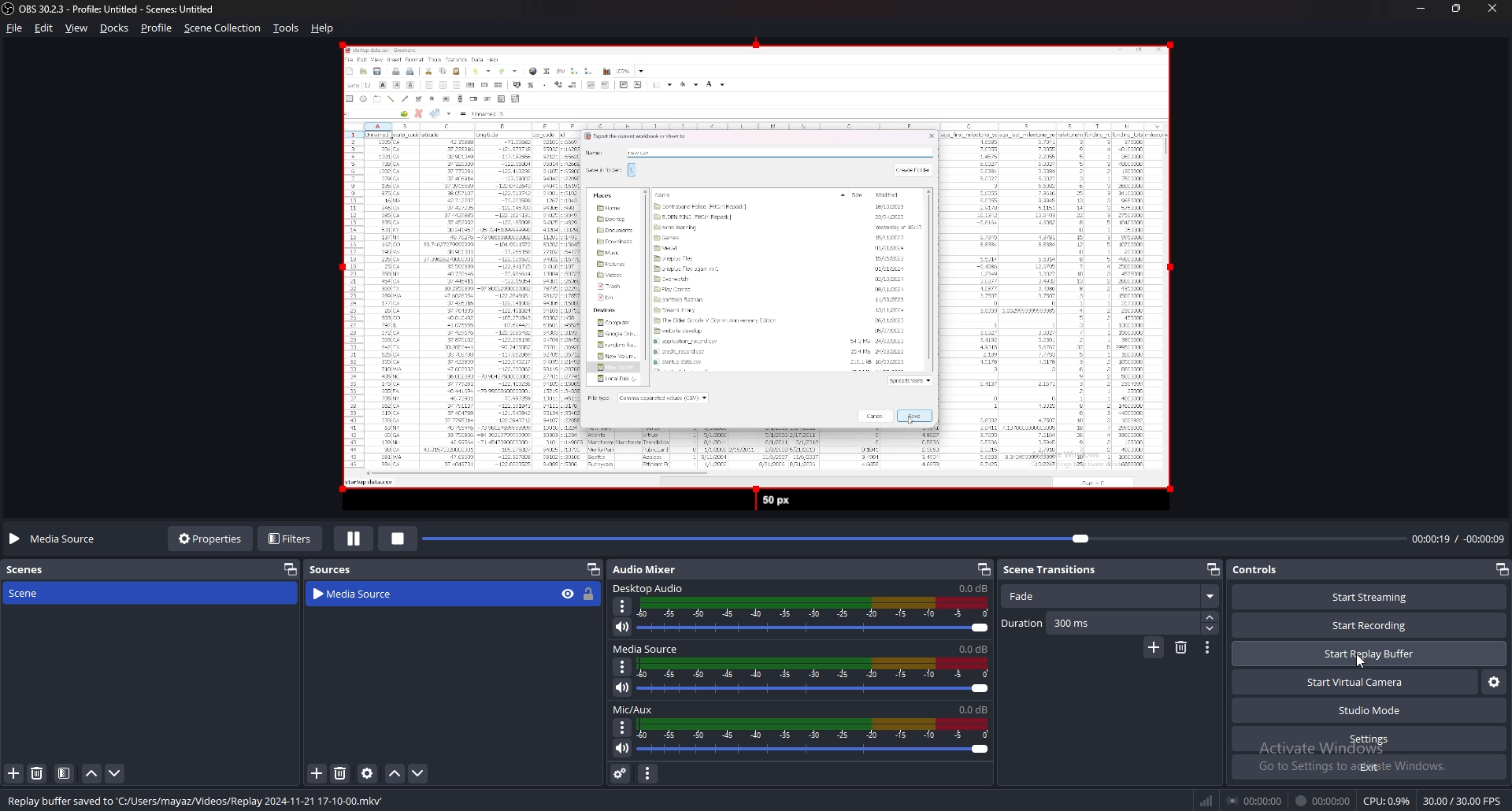 The height and width of the screenshot is (811, 1512). What do you see at coordinates (285, 28) in the screenshot?
I see `tools` at bounding box center [285, 28].